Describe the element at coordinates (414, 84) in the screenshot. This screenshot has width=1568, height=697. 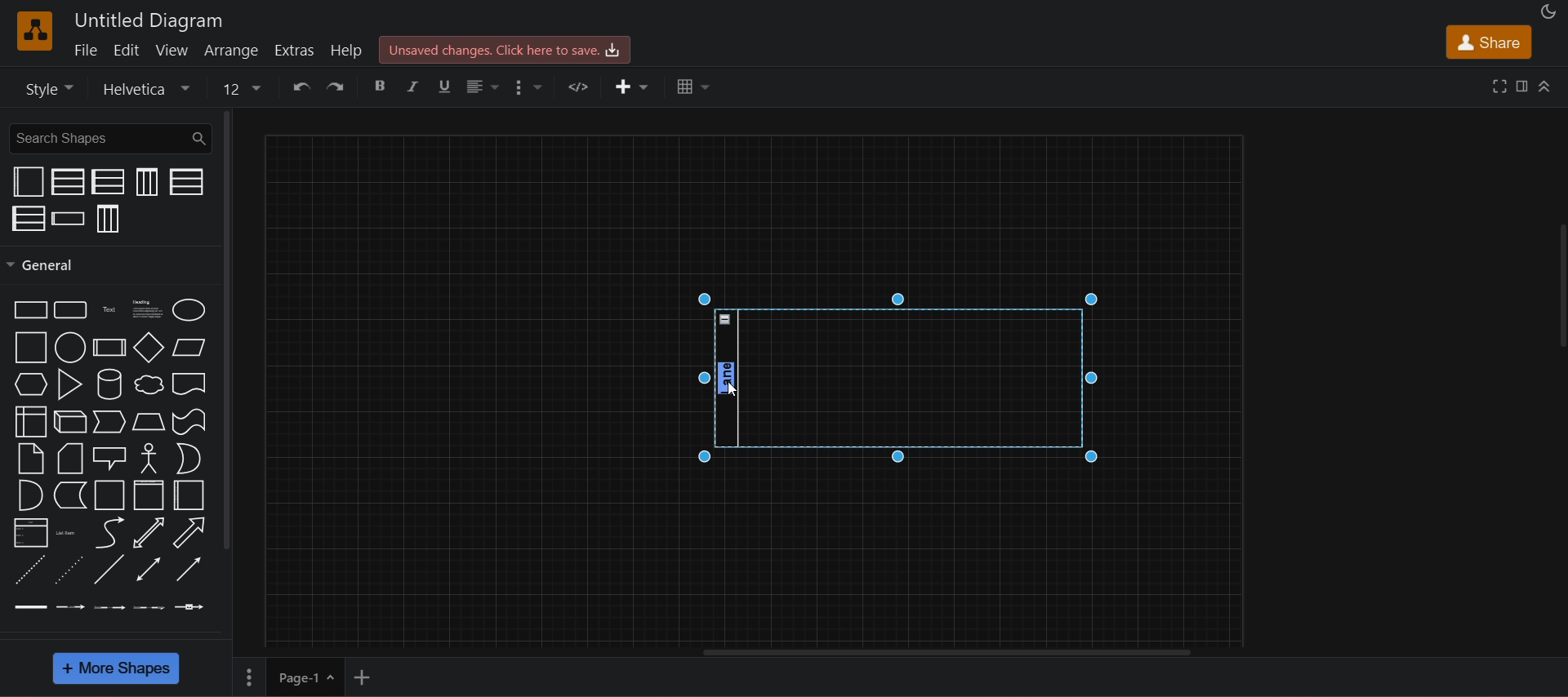
I see `italic` at that location.